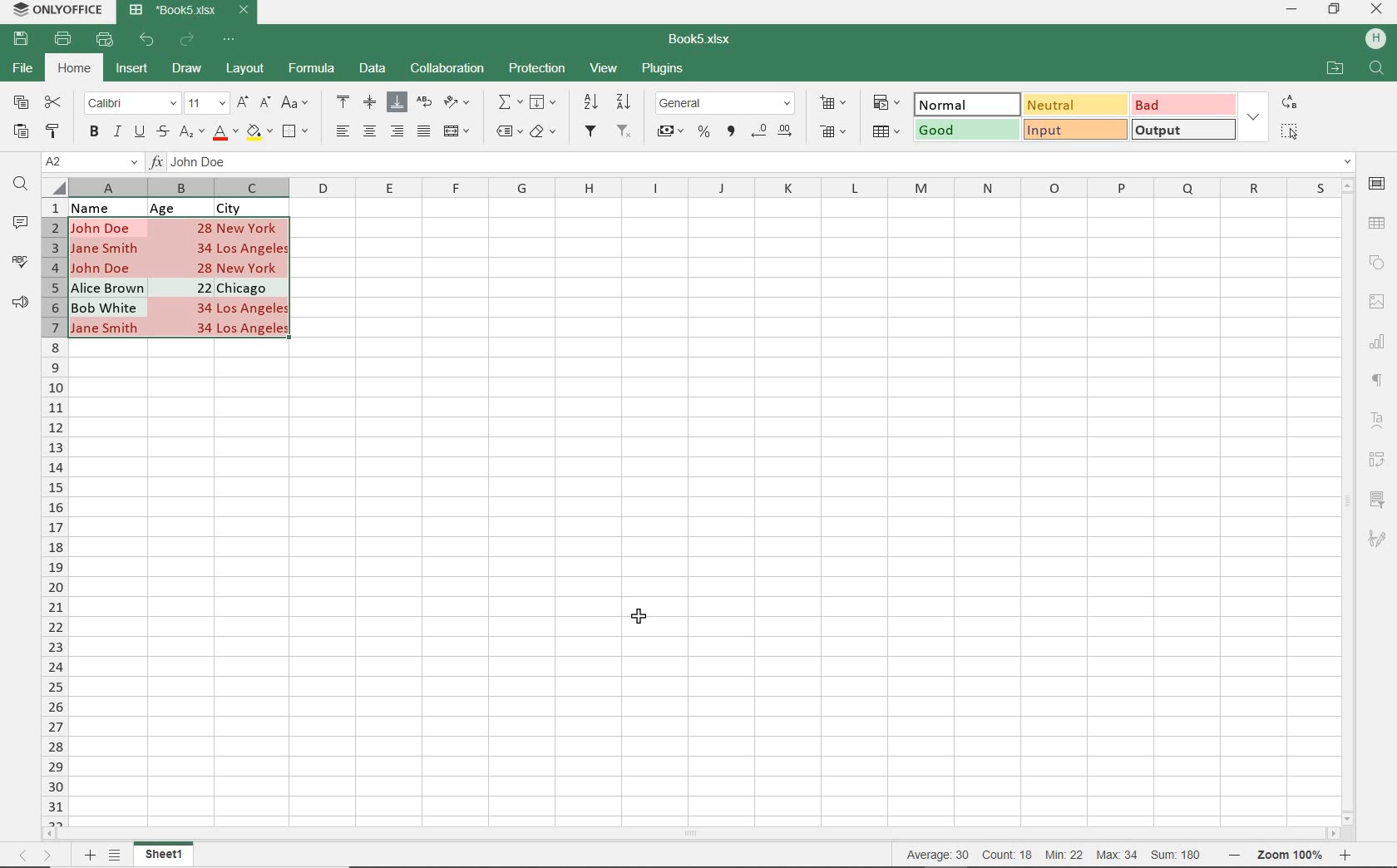  Describe the element at coordinates (508, 132) in the screenshot. I see `NAMED RANGES` at that location.